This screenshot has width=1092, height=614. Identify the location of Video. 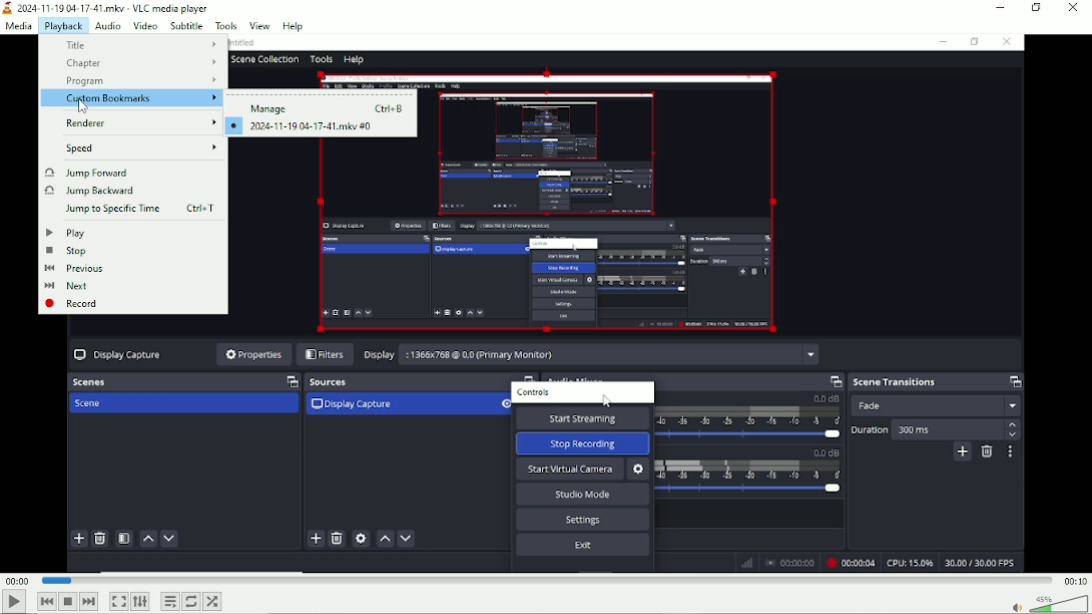
(726, 303).